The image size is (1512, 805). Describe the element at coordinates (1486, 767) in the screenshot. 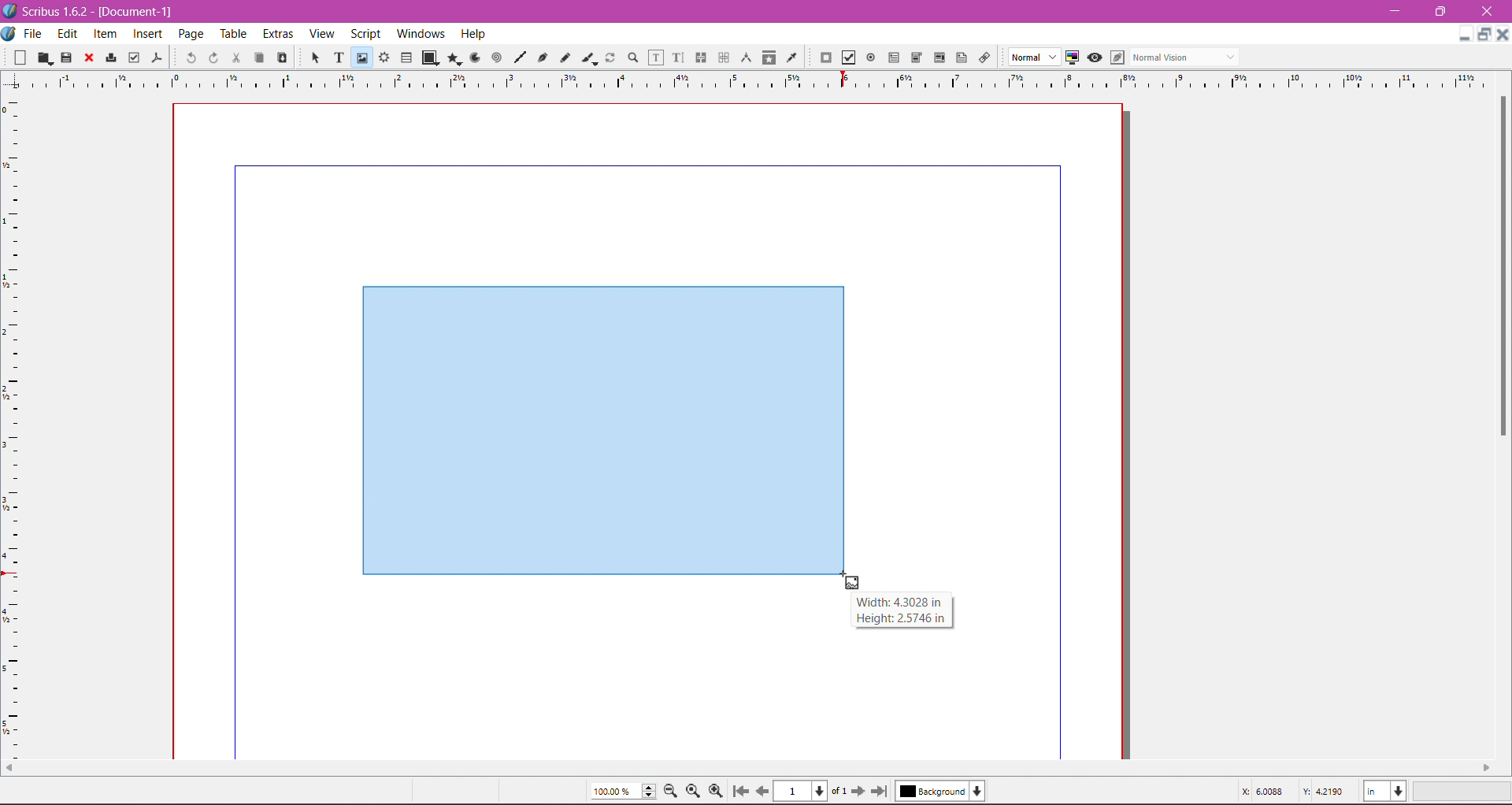

I see `scroll right` at that location.